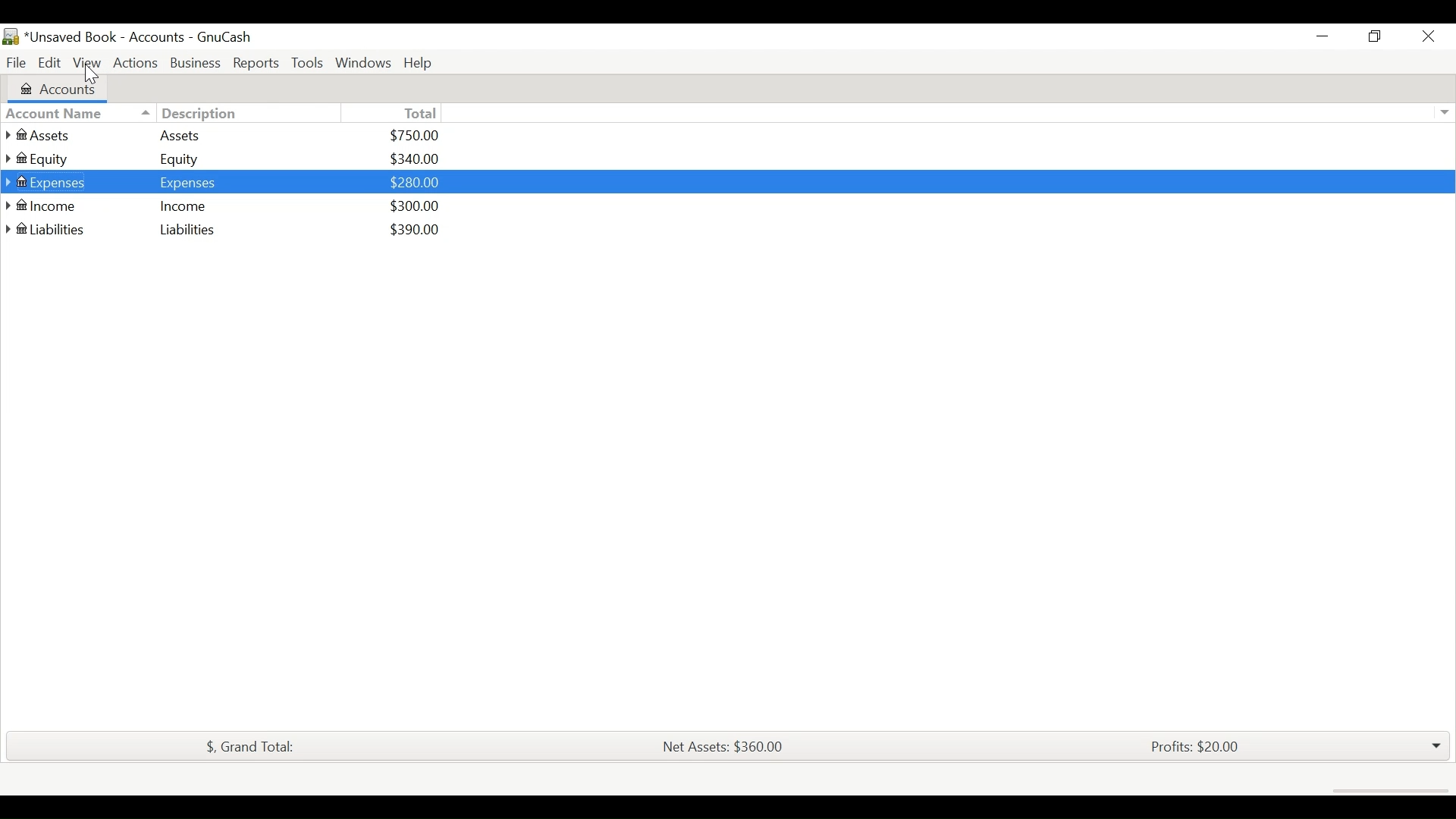 Image resolution: width=1456 pixels, height=819 pixels. I want to click on Close, so click(1422, 39).